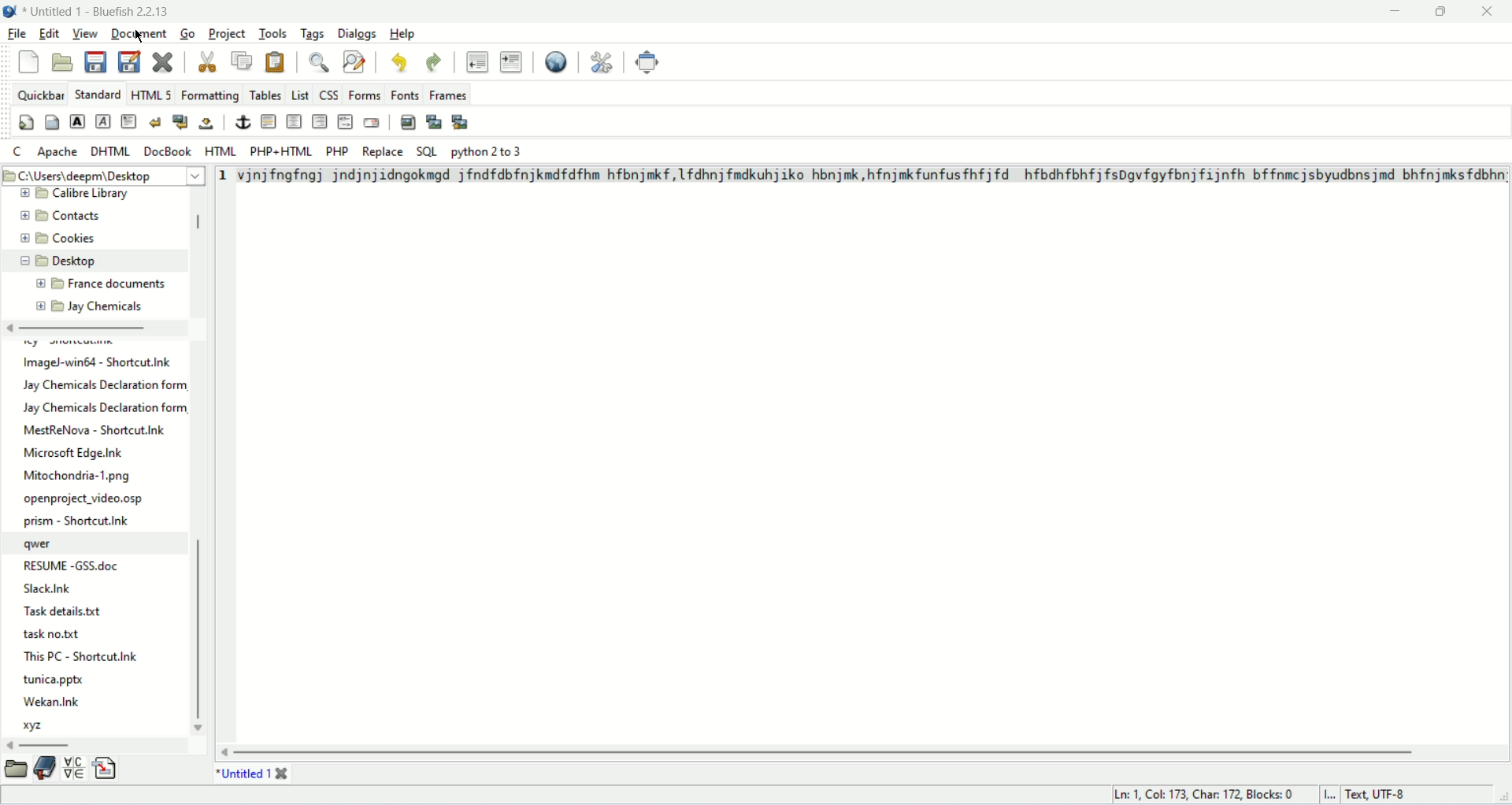 The image size is (1512, 805). Describe the element at coordinates (138, 31) in the screenshot. I see `document` at that location.